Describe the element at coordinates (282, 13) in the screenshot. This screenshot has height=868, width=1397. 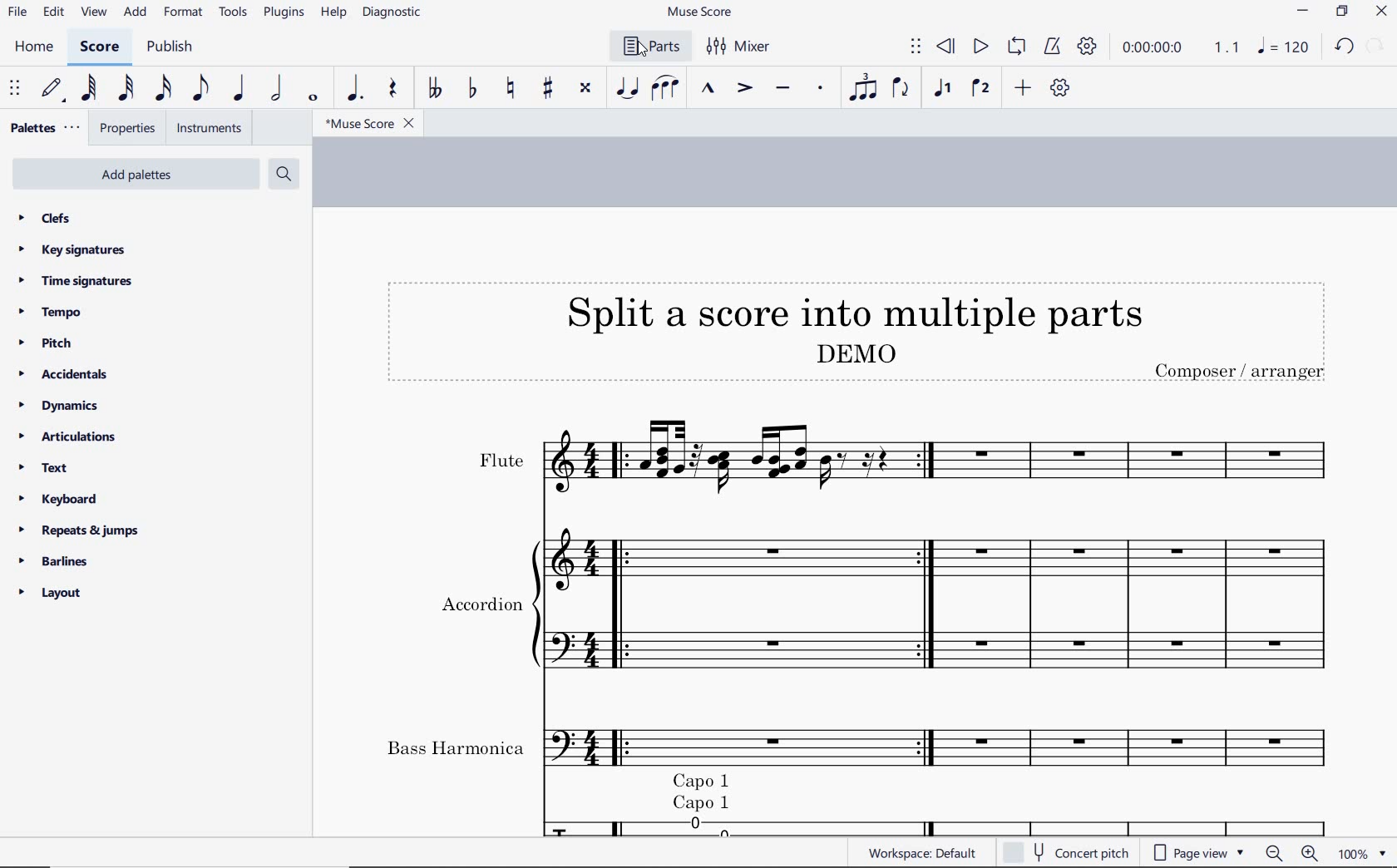
I see `plugins` at that location.